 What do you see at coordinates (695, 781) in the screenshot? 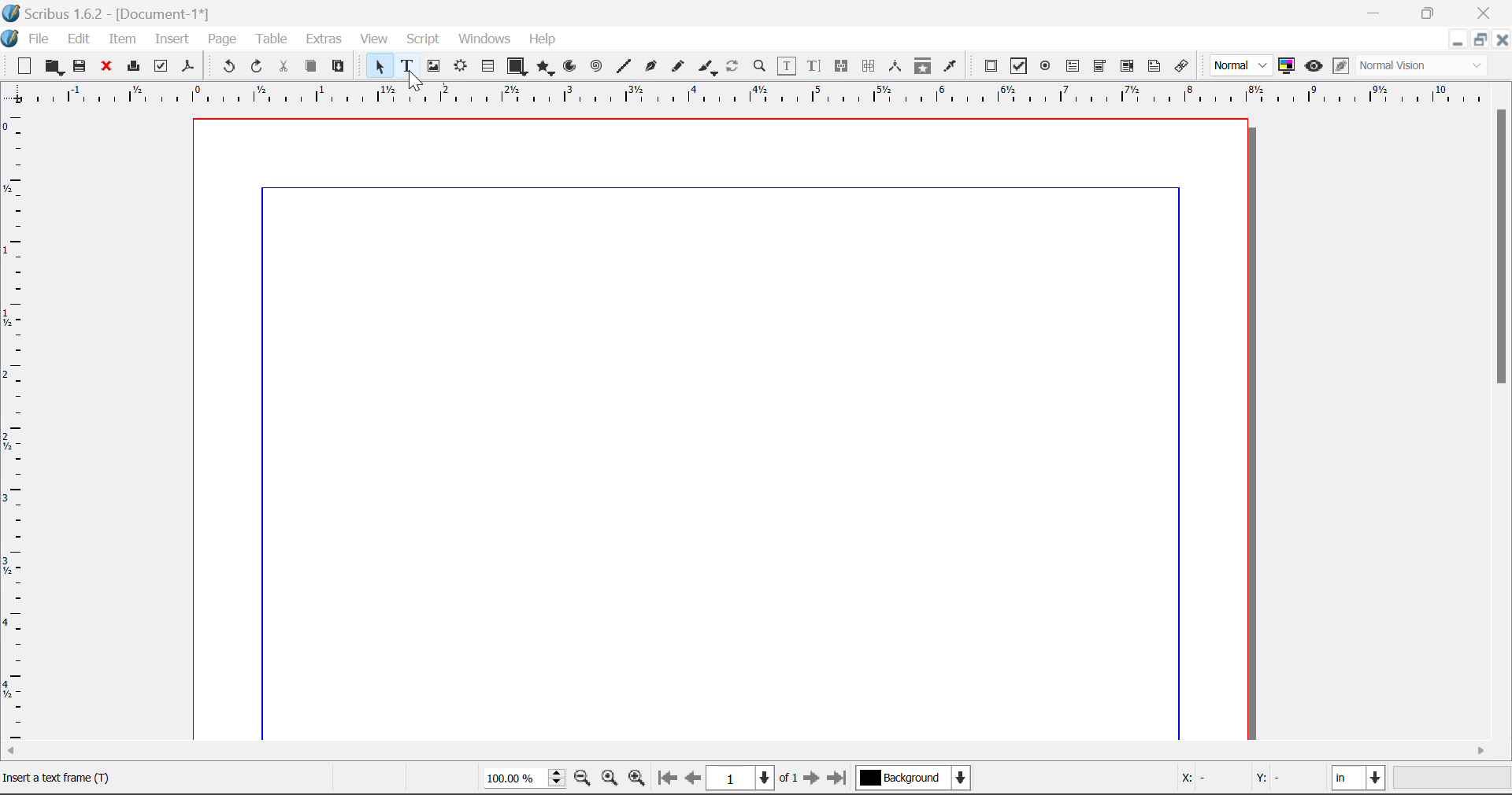
I see `Previous Page` at bounding box center [695, 781].